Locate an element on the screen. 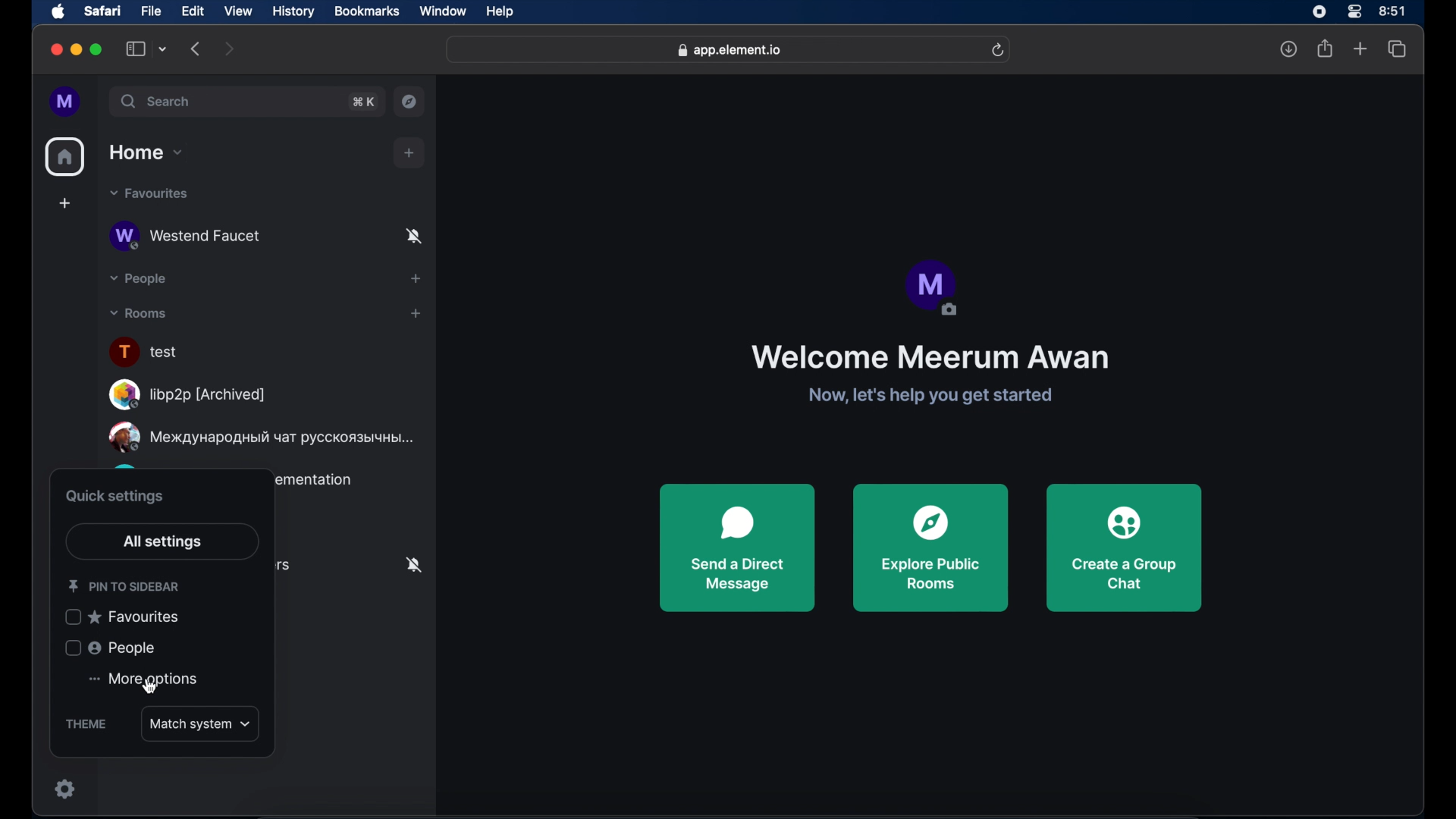 This screenshot has height=819, width=1456. forward is located at coordinates (231, 49).